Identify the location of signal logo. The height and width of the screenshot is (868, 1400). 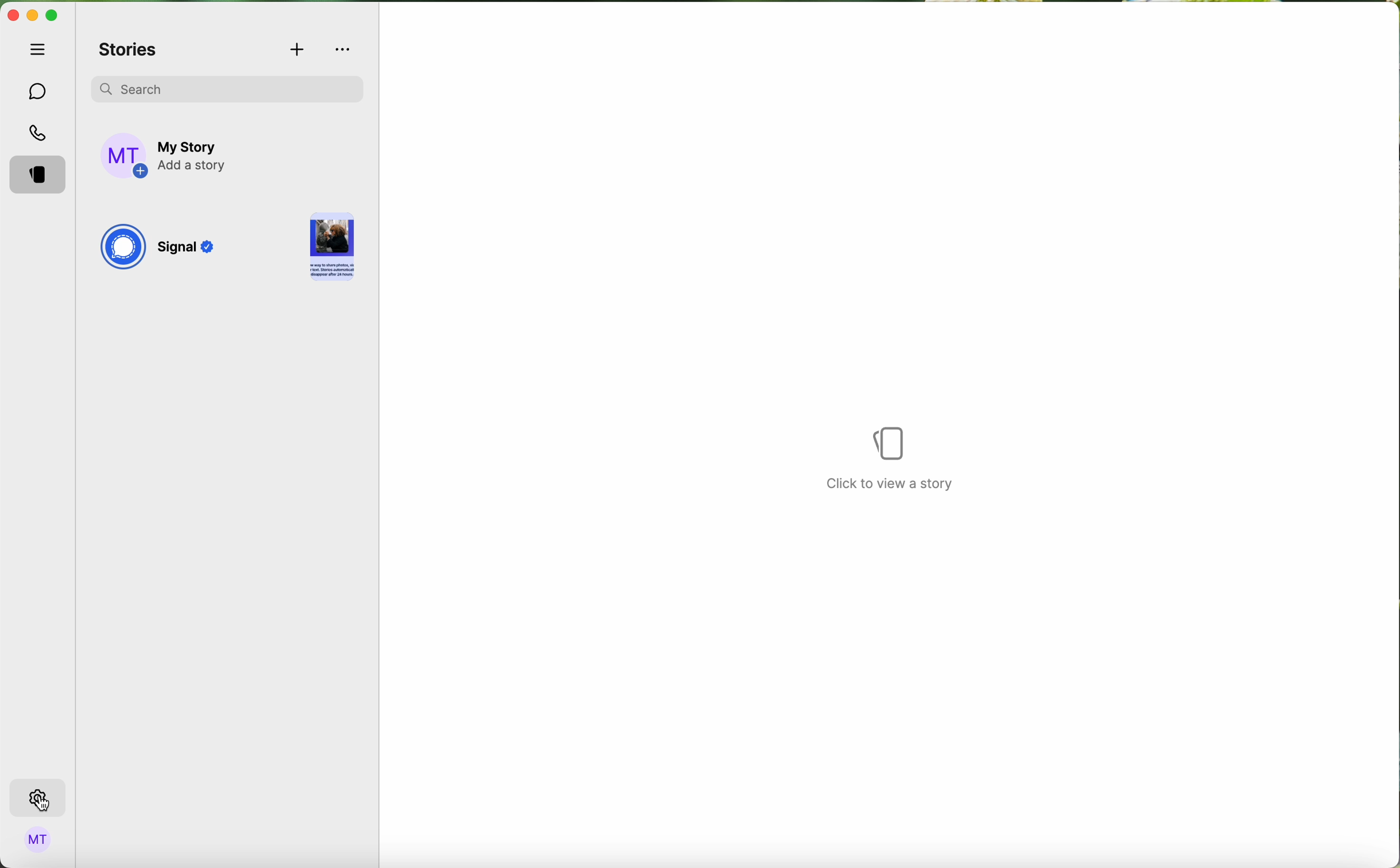
(122, 249).